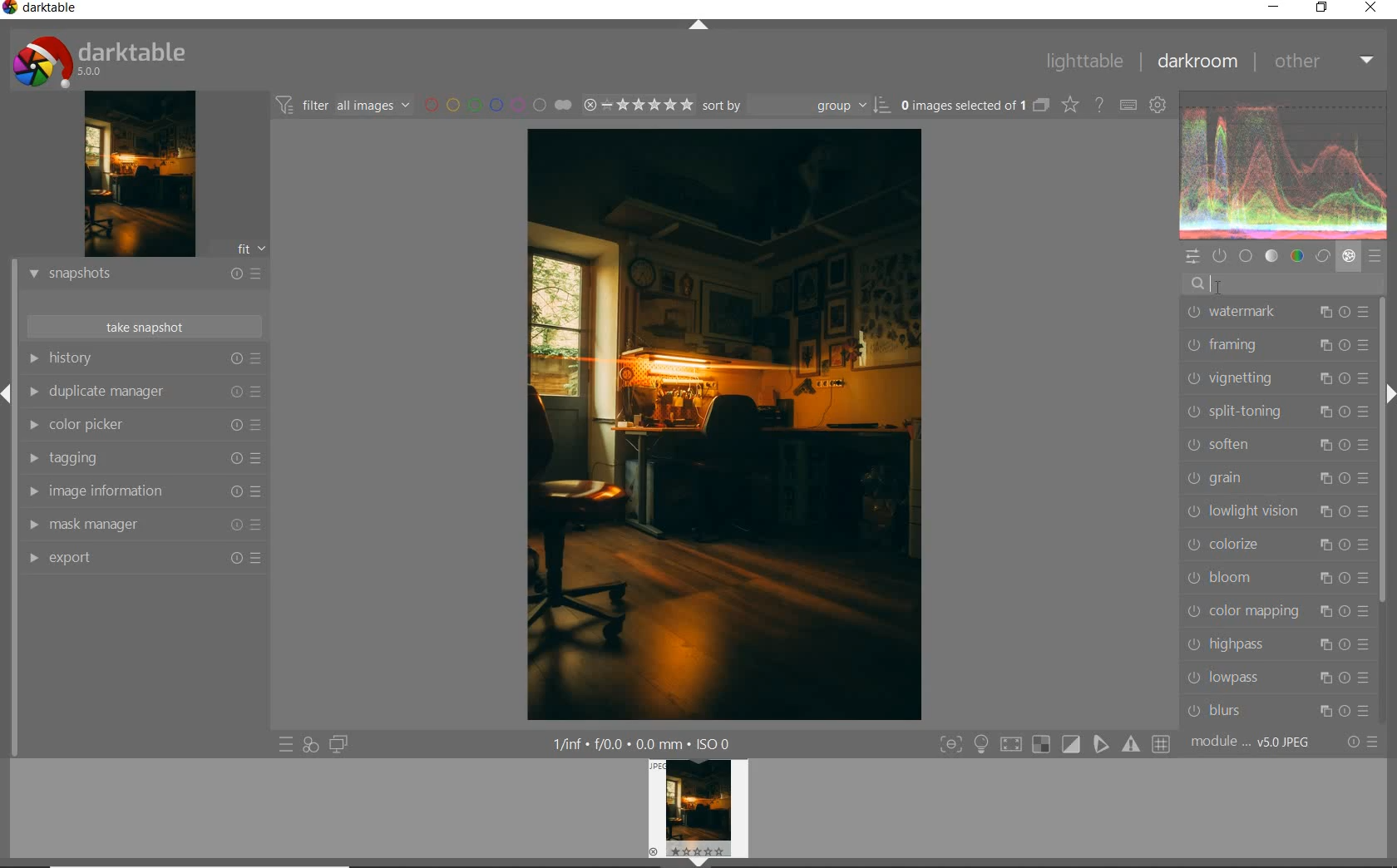  What do you see at coordinates (1246, 256) in the screenshot?
I see `base` at bounding box center [1246, 256].